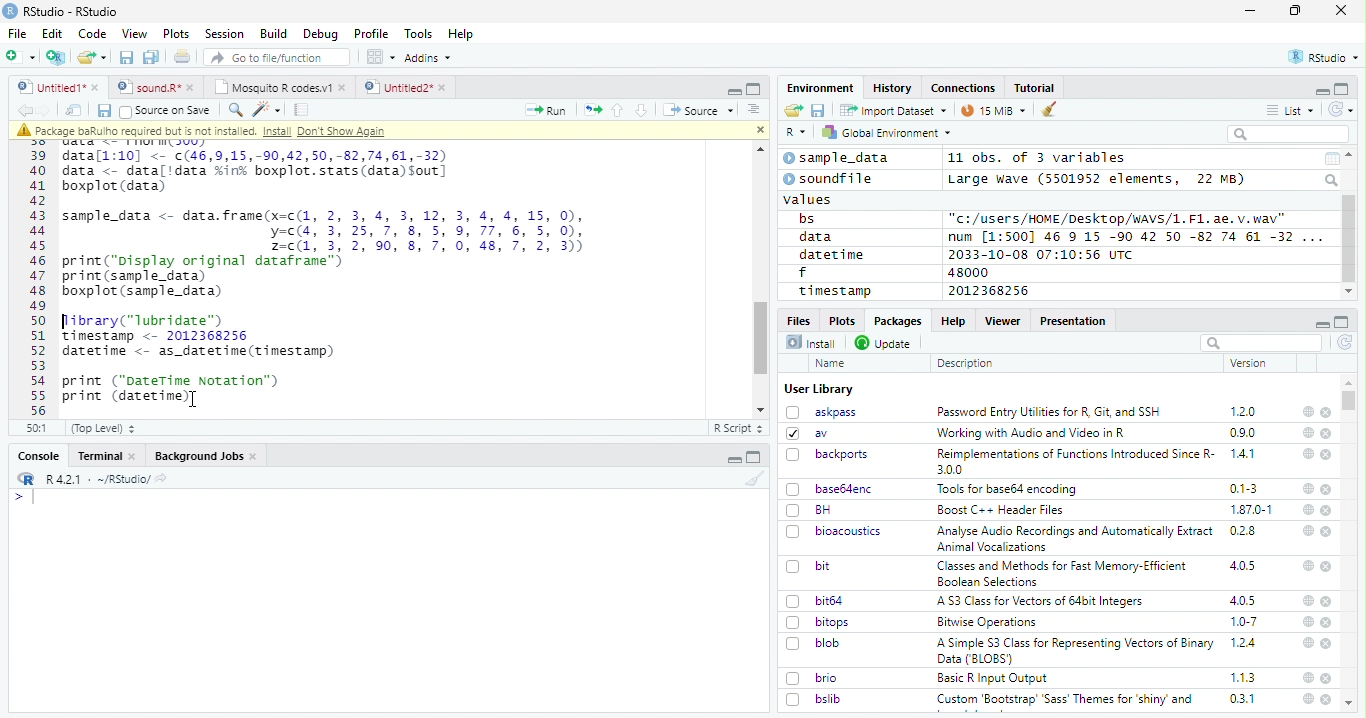  Describe the element at coordinates (1307, 600) in the screenshot. I see `help` at that location.